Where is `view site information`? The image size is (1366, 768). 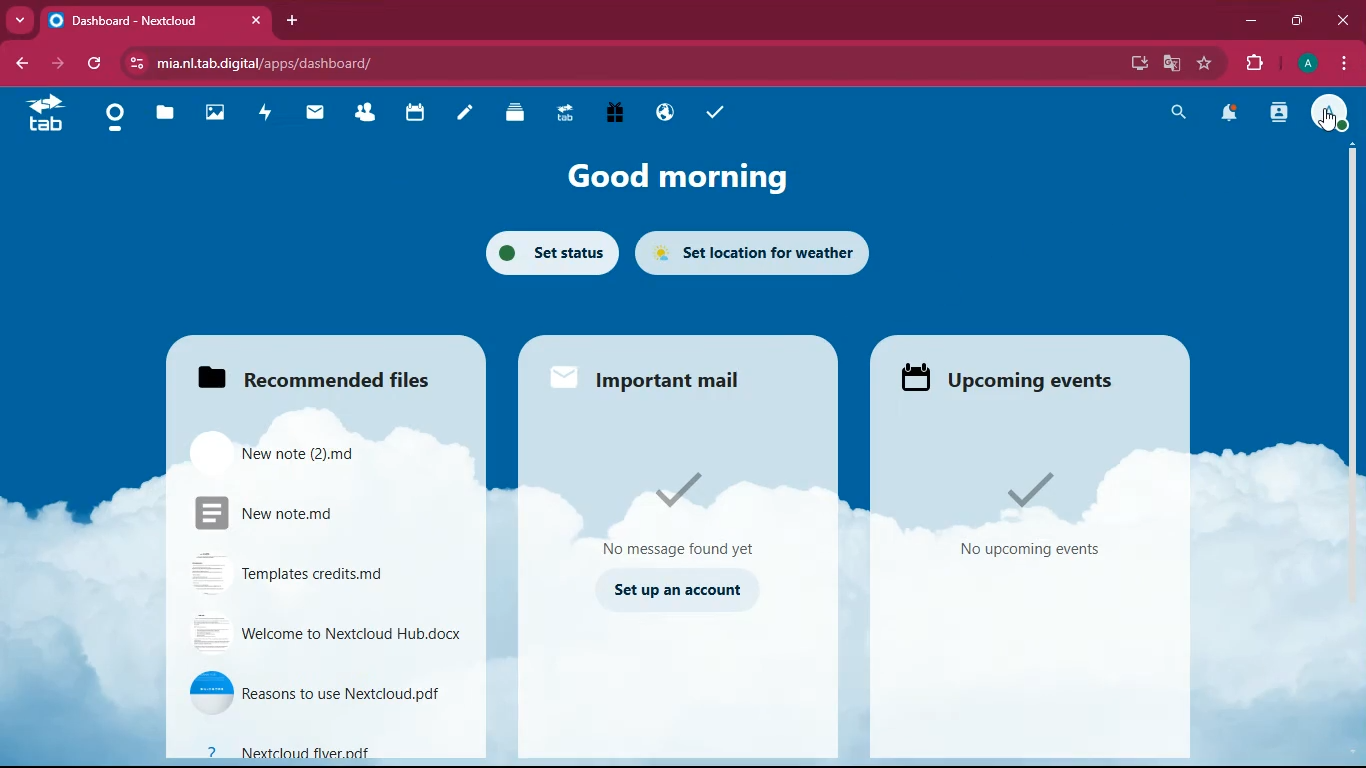
view site information is located at coordinates (133, 63).